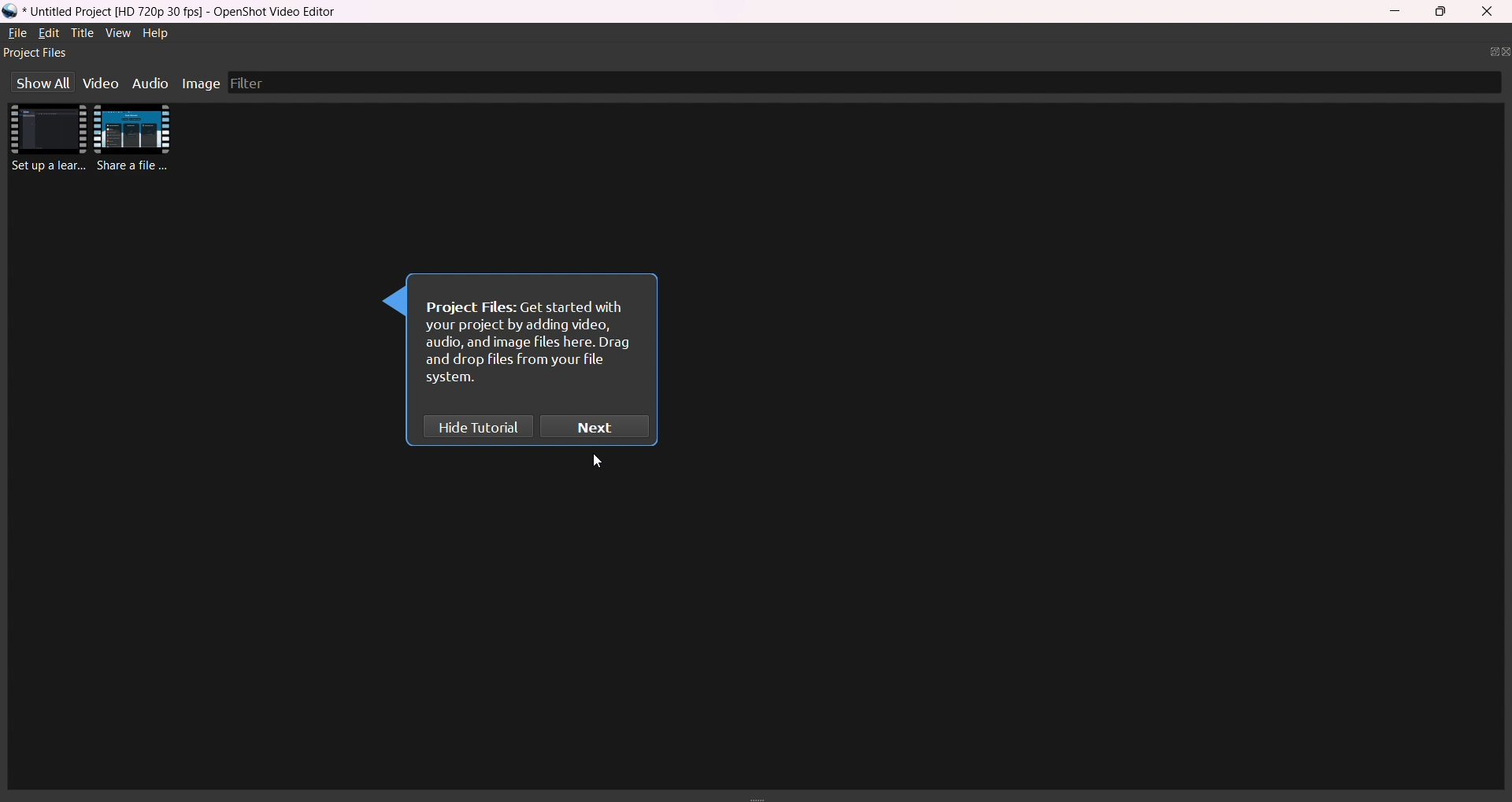 This screenshot has height=802, width=1512. Describe the element at coordinates (1487, 12) in the screenshot. I see `close` at that location.